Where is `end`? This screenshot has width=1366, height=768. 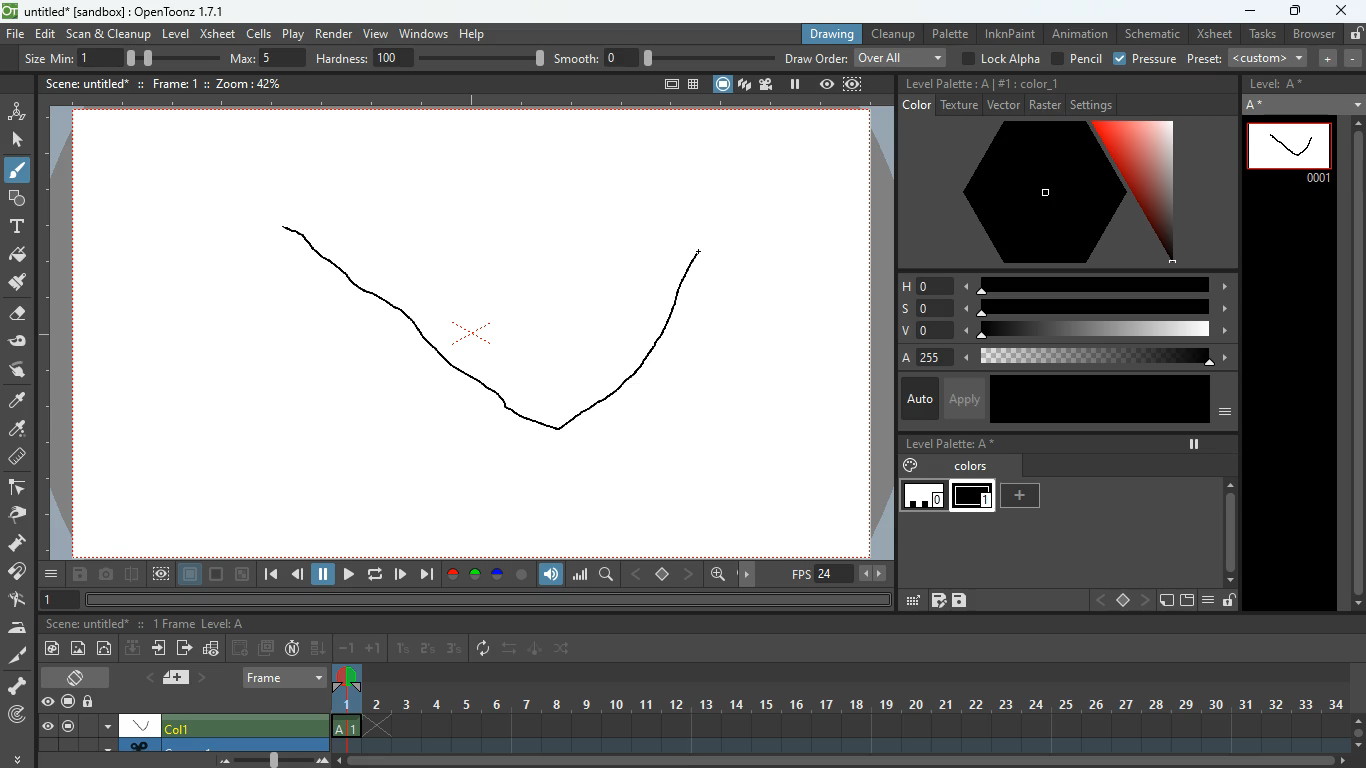 end is located at coordinates (426, 574).